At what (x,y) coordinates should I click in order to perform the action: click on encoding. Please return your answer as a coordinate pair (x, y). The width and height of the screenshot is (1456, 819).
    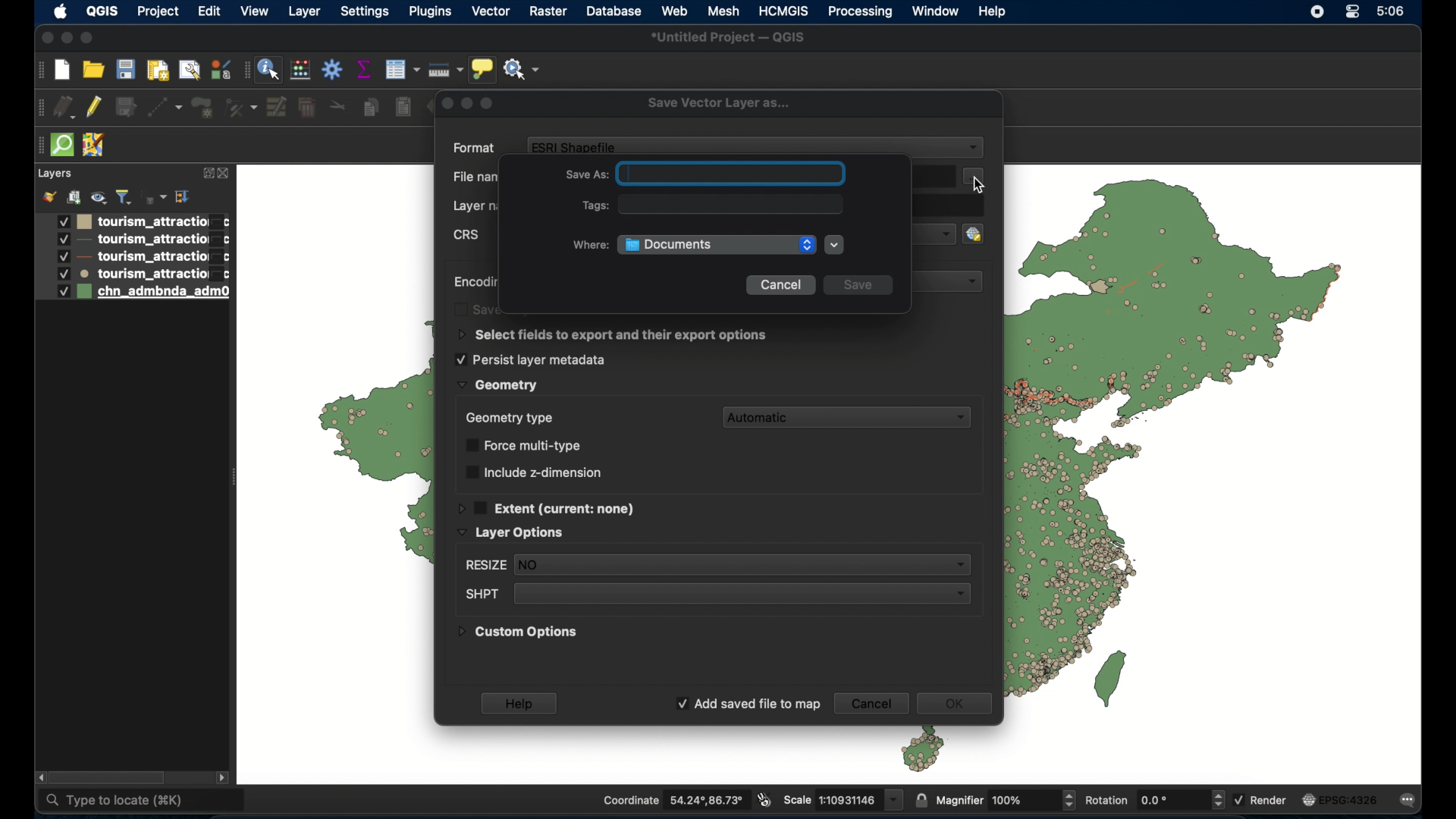
    Looking at the image, I should click on (475, 281).